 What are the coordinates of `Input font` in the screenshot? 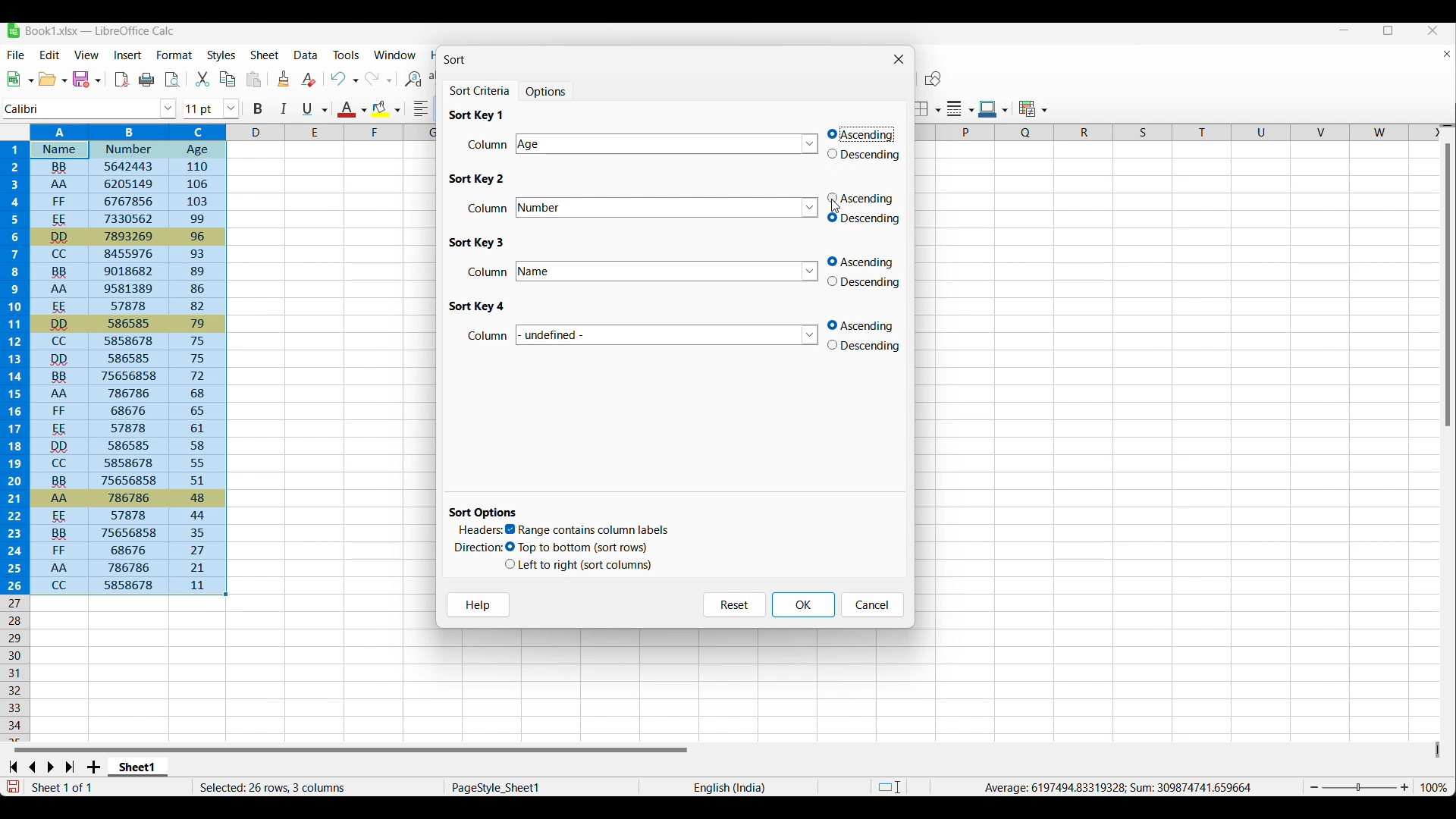 It's located at (81, 109).